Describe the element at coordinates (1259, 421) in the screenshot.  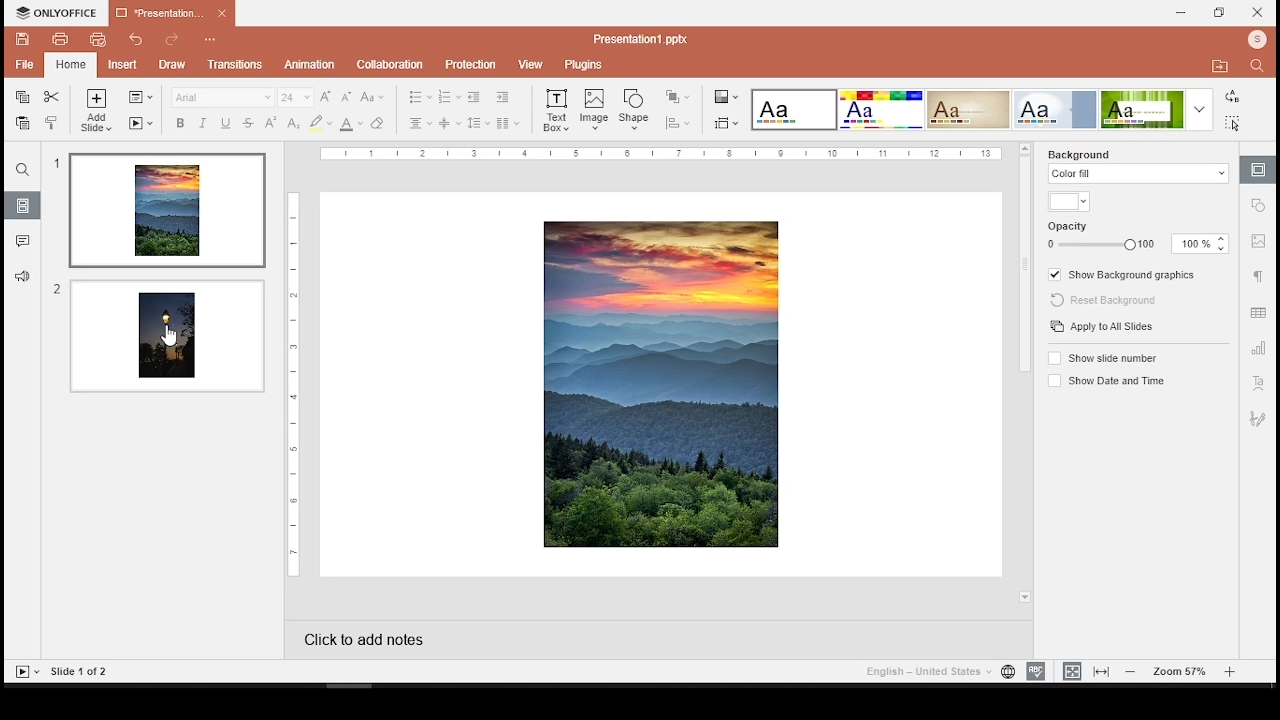
I see `` at that location.